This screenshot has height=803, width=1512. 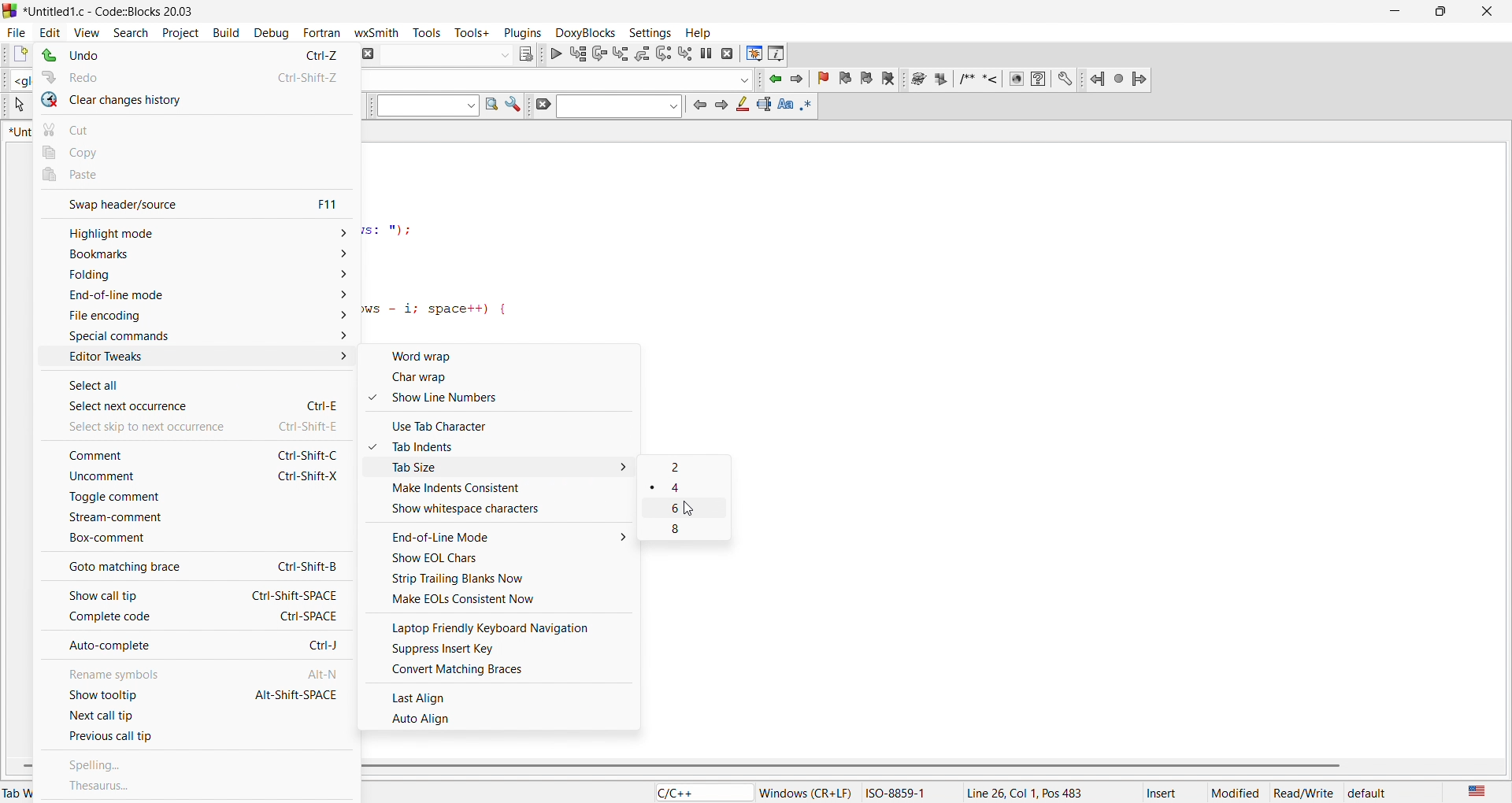 What do you see at coordinates (120, 598) in the screenshot?
I see `show call tip ` at bounding box center [120, 598].